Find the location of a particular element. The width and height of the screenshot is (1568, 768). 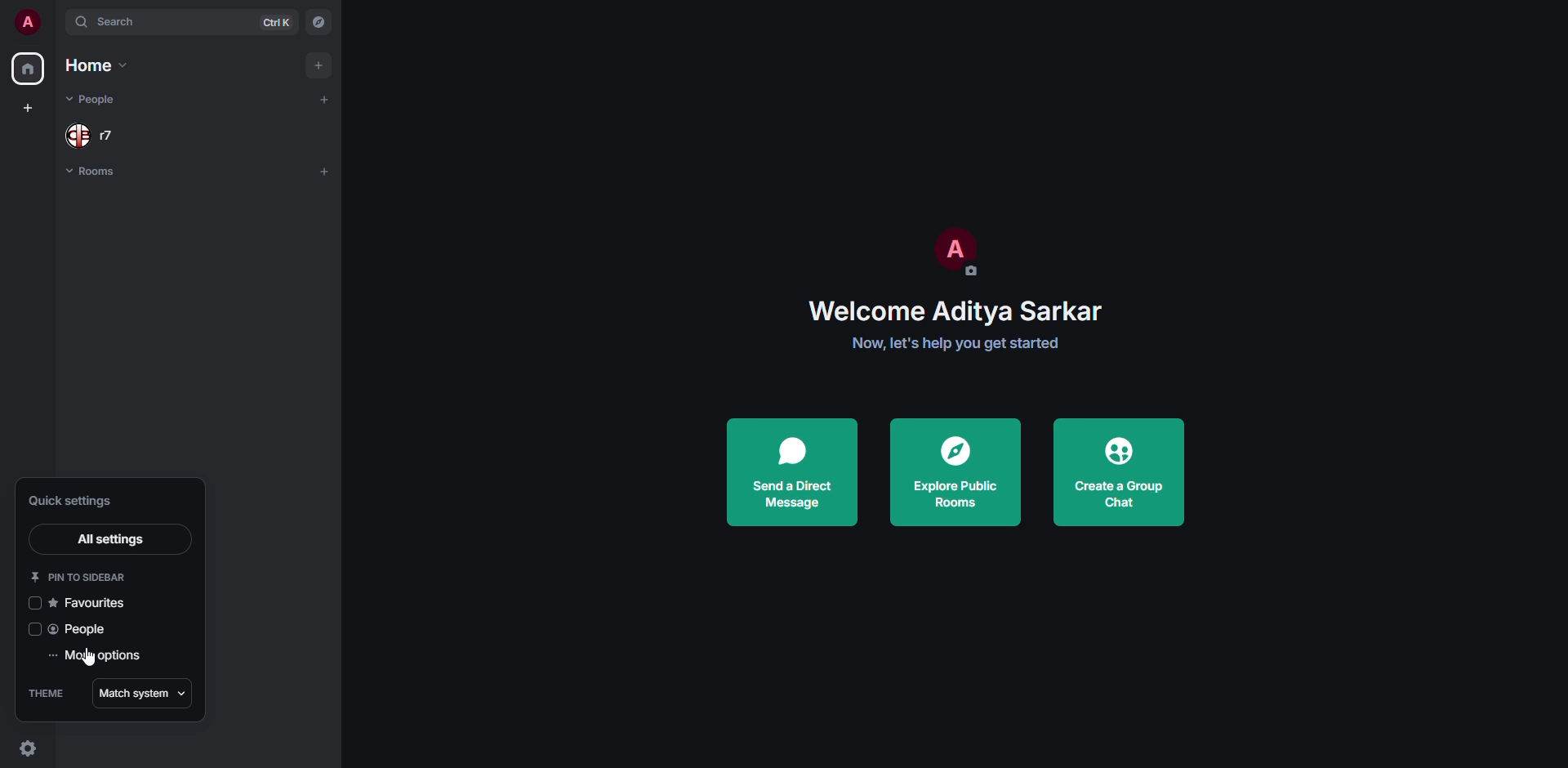

create a group chat is located at coordinates (1124, 471).